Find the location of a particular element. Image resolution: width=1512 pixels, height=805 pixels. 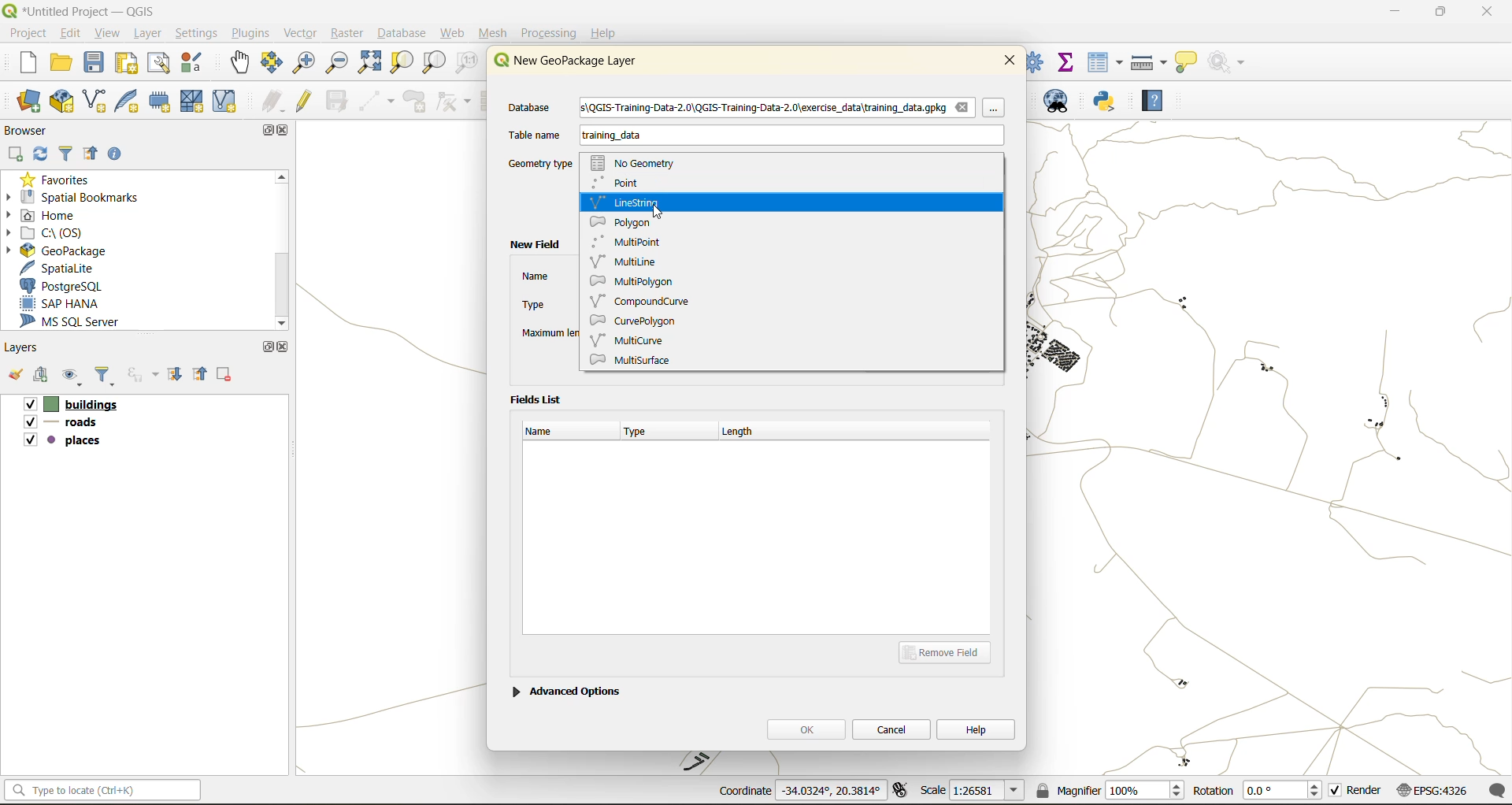

help is located at coordinates (1152, 103).